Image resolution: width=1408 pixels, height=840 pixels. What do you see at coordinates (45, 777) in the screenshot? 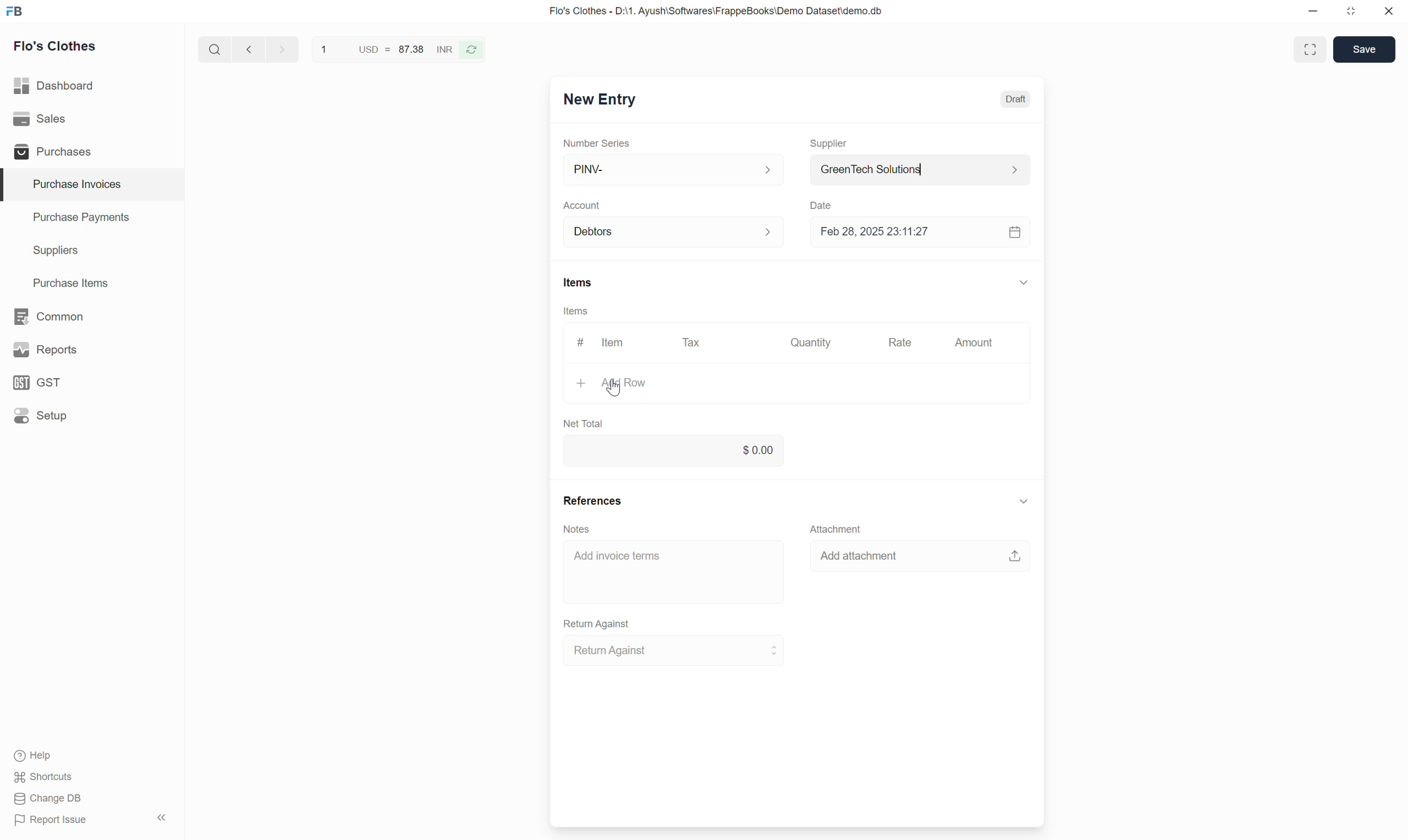
I see `Shortcuts` at bounding box center [45, 777].